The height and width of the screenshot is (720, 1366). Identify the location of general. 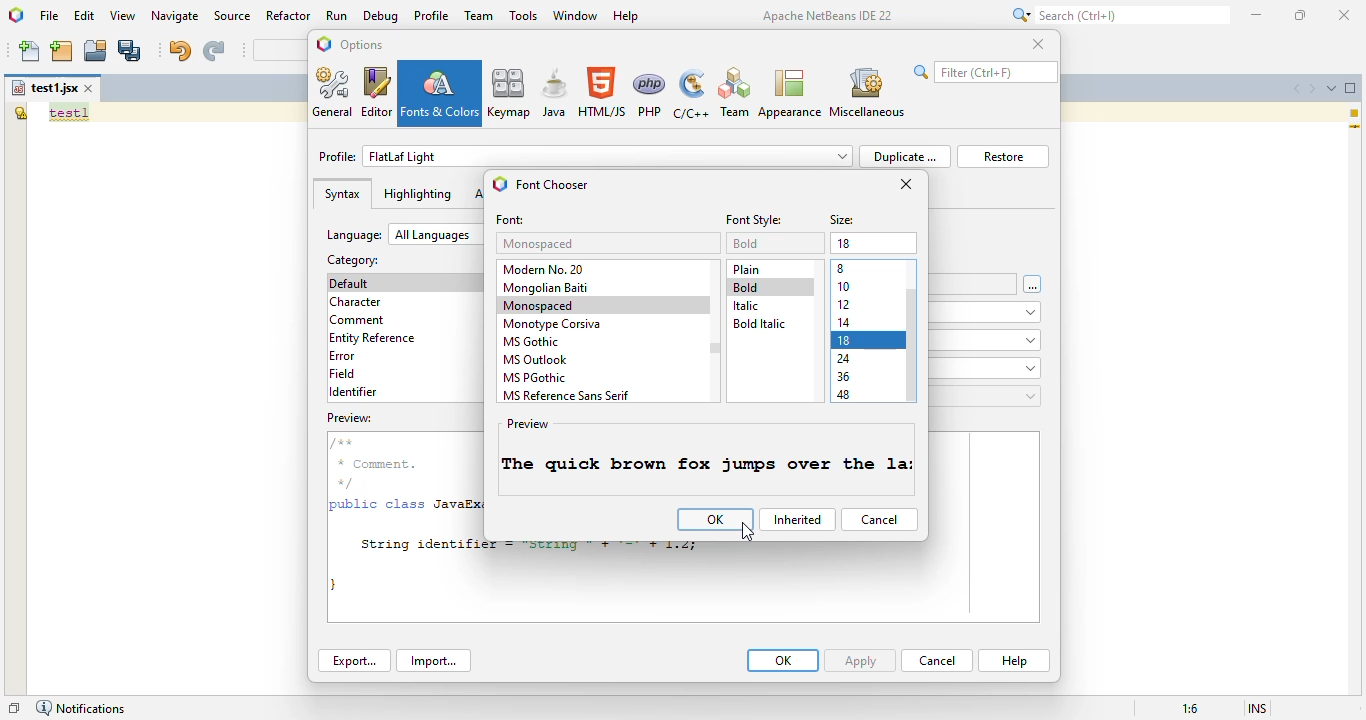
(334, 93).